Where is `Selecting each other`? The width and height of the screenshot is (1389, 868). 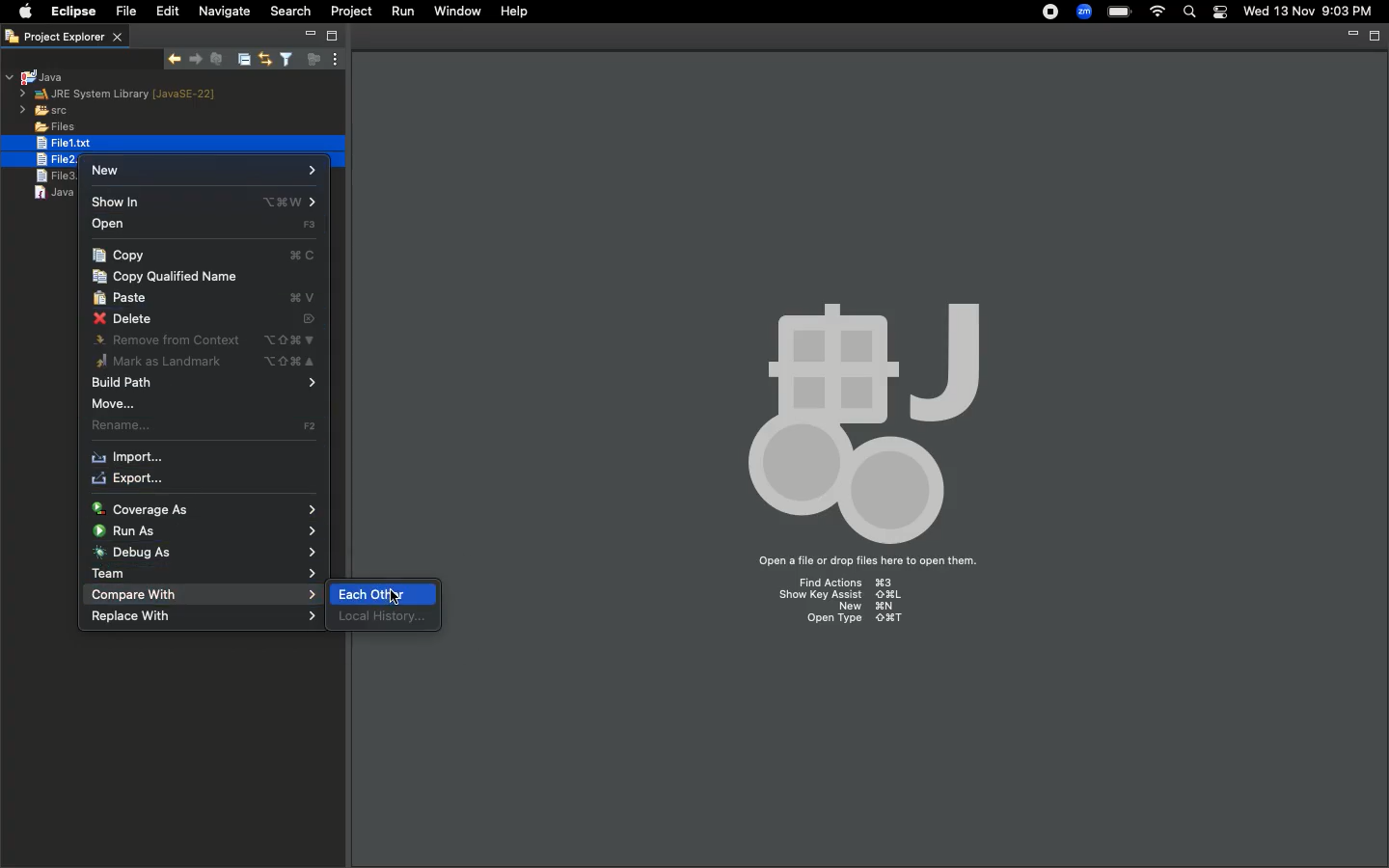
Selecting each other is located at coordinates (381, 594).